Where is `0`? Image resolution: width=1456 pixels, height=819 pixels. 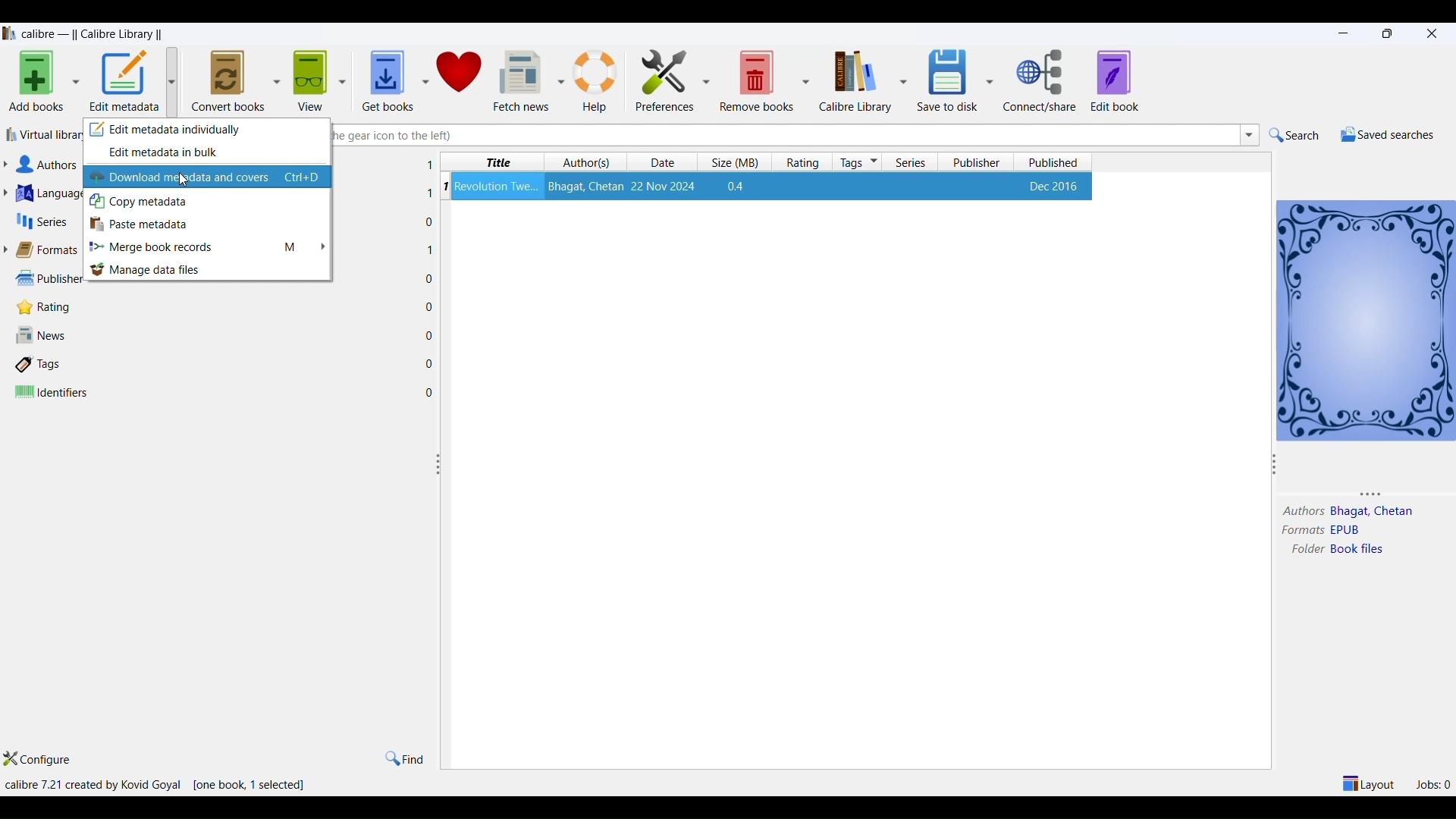
0 is located at coordinates (431, 363).